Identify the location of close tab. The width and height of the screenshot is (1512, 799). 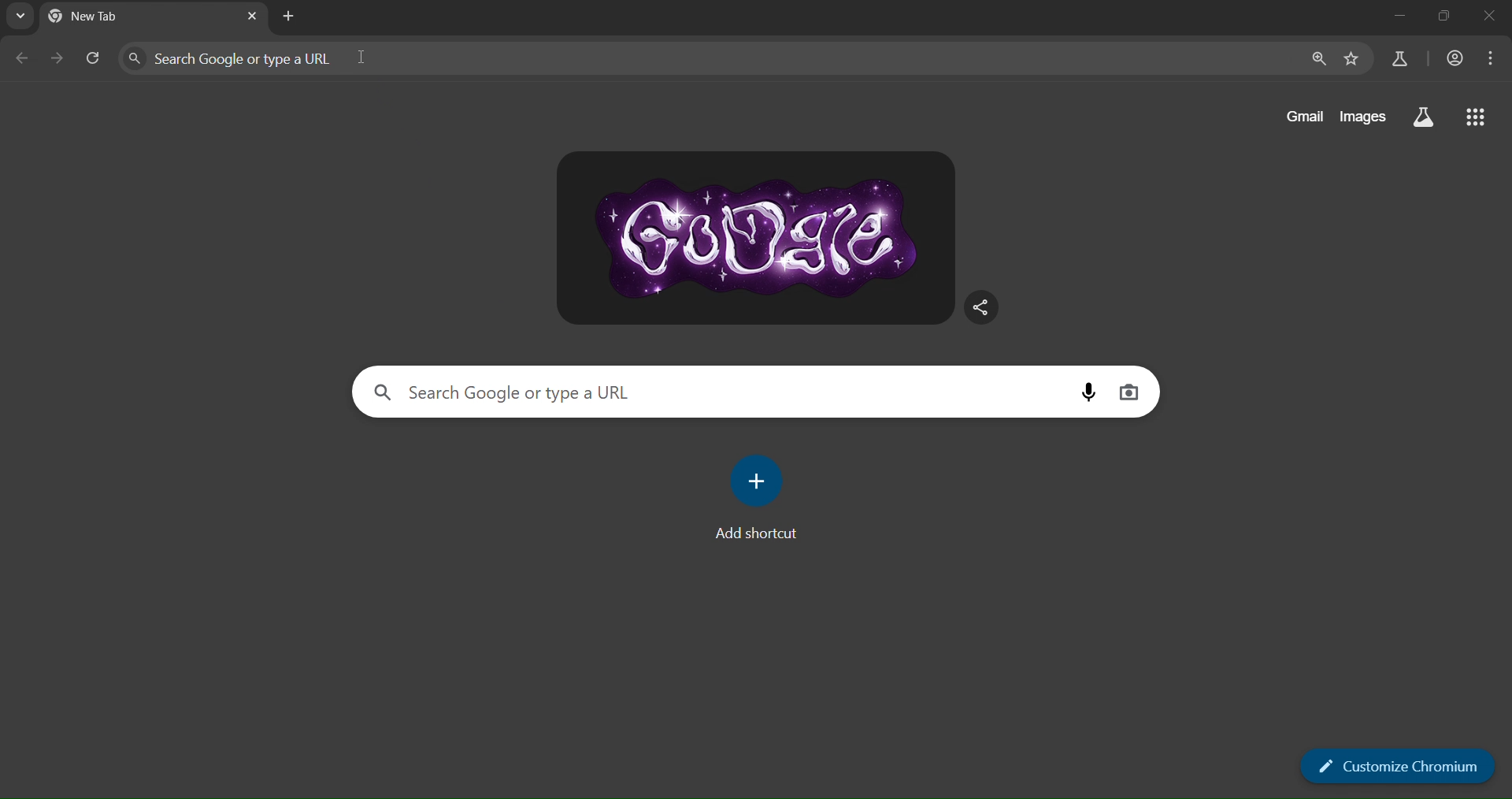
(252, 16).